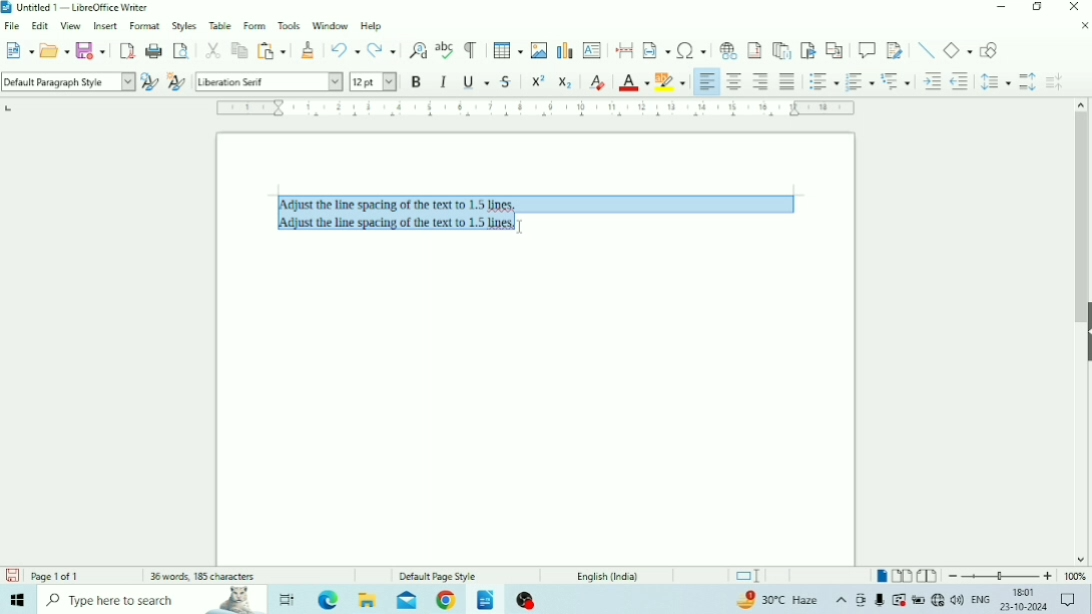  Describe the element at coordinates (154, 49) in the screenshot. I see `Print` at that location.